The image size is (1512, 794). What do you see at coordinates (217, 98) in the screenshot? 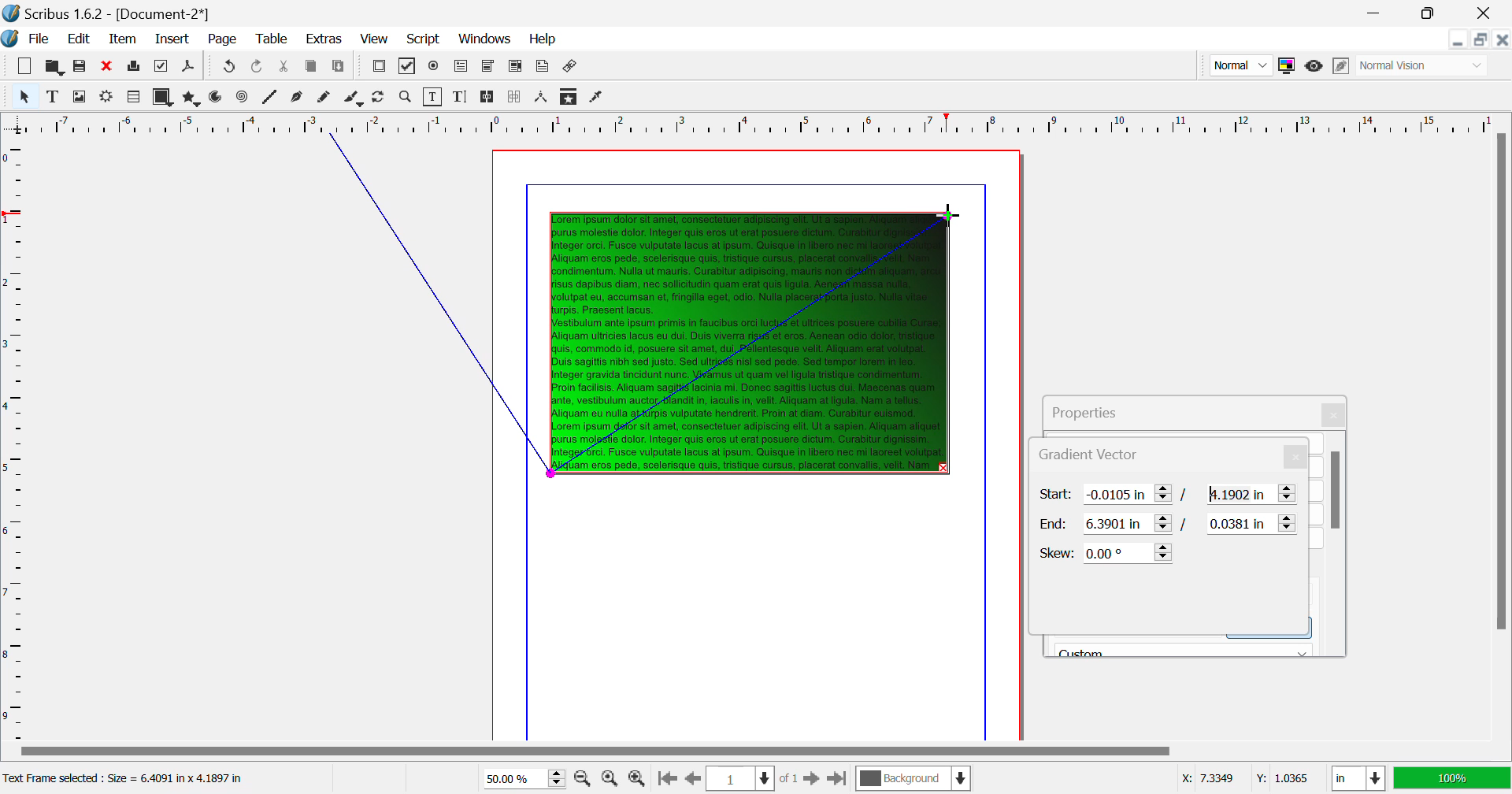
I see `Arcs` at bounding box center [217, 98].